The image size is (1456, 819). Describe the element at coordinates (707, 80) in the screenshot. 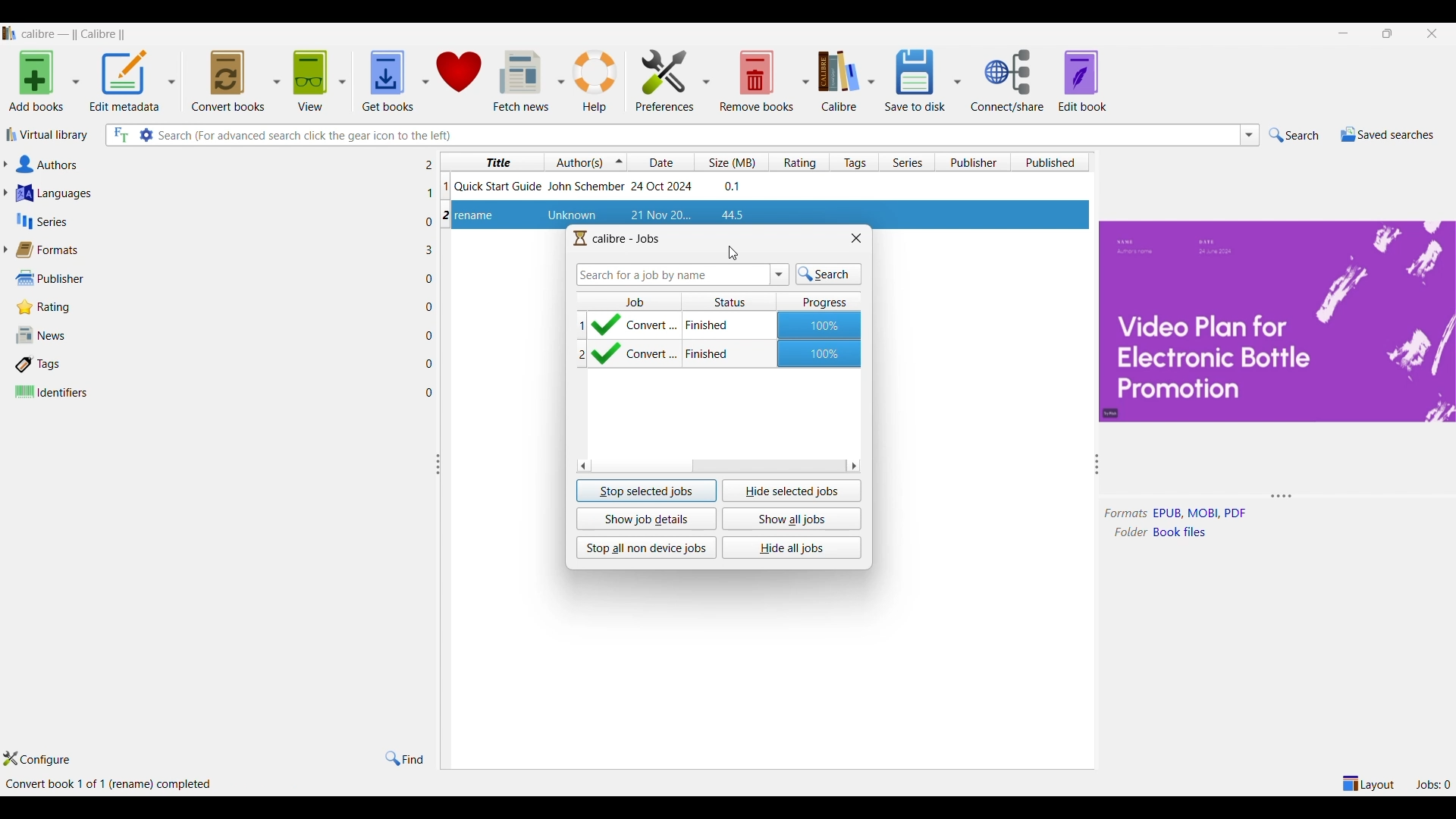

I see `Preference options` at that location.